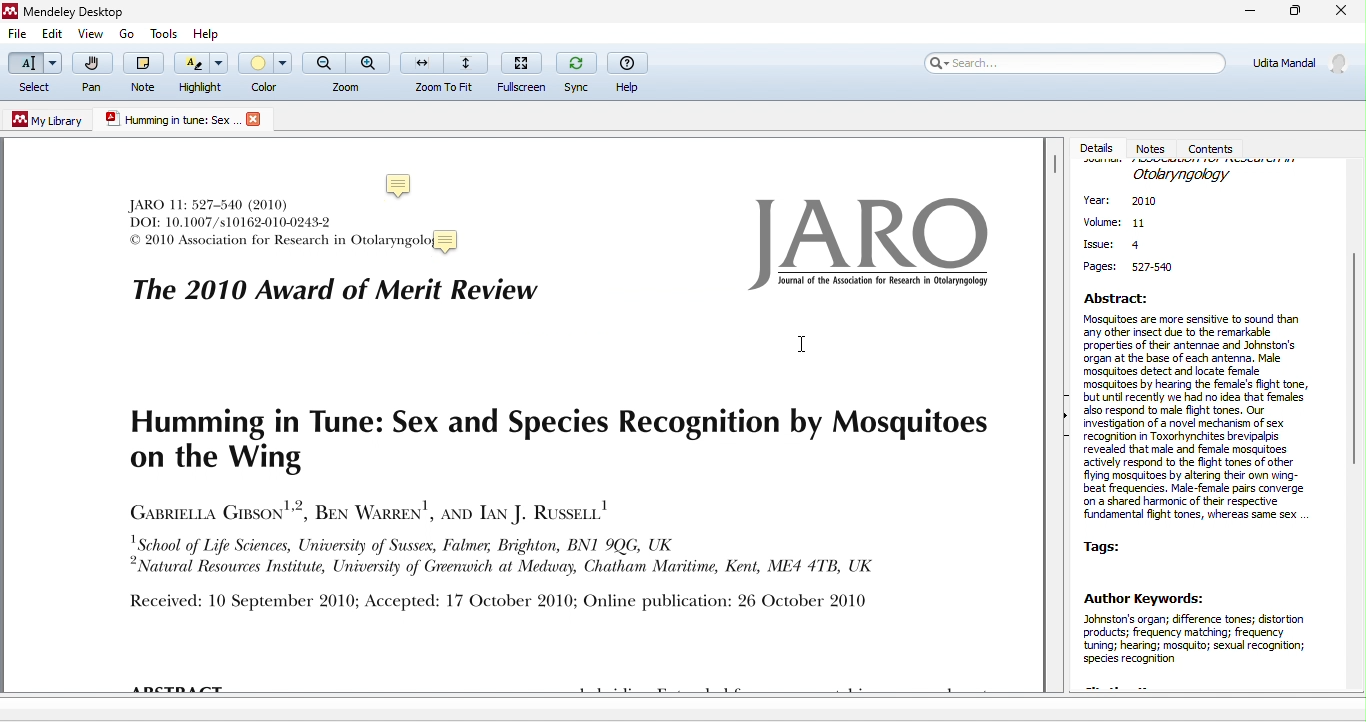  What do you see at coordinates (266, 70) in the screenshot?
I see `color` at bounding box center [266, 70].